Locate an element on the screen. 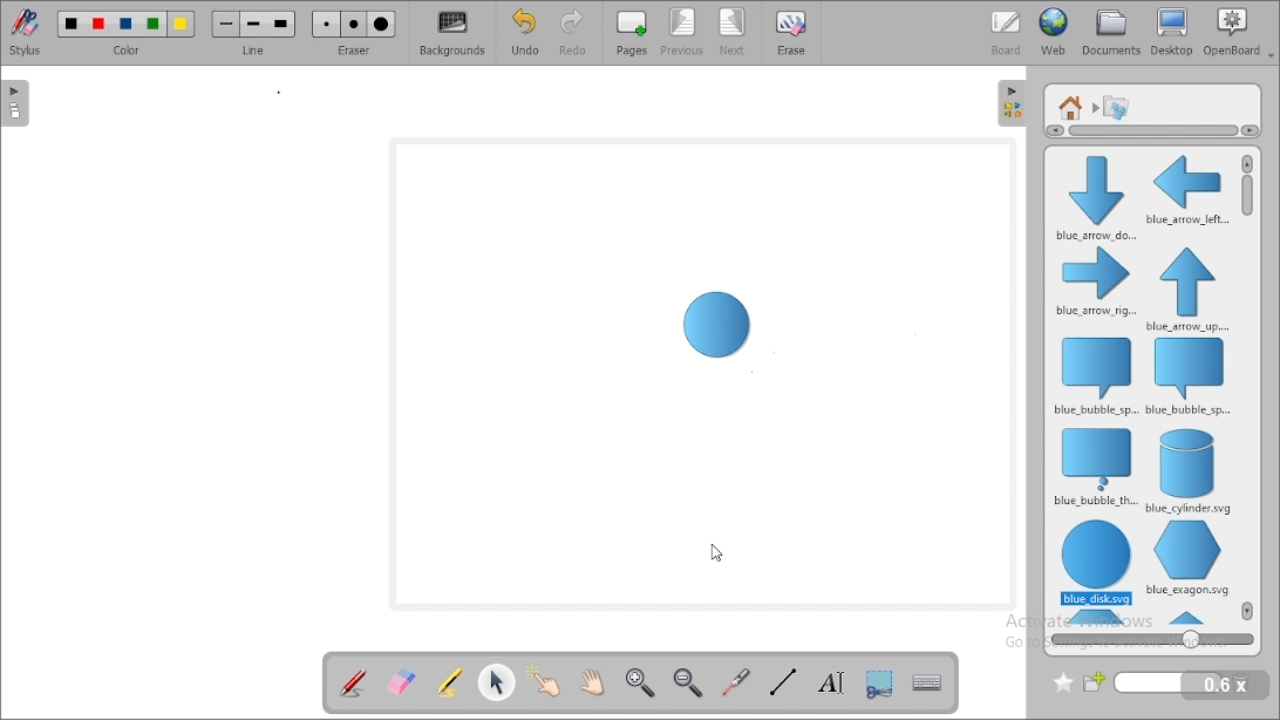 This screenshot has width=1280, height=720. blue bubble think is located at coordinates (1094, 467).